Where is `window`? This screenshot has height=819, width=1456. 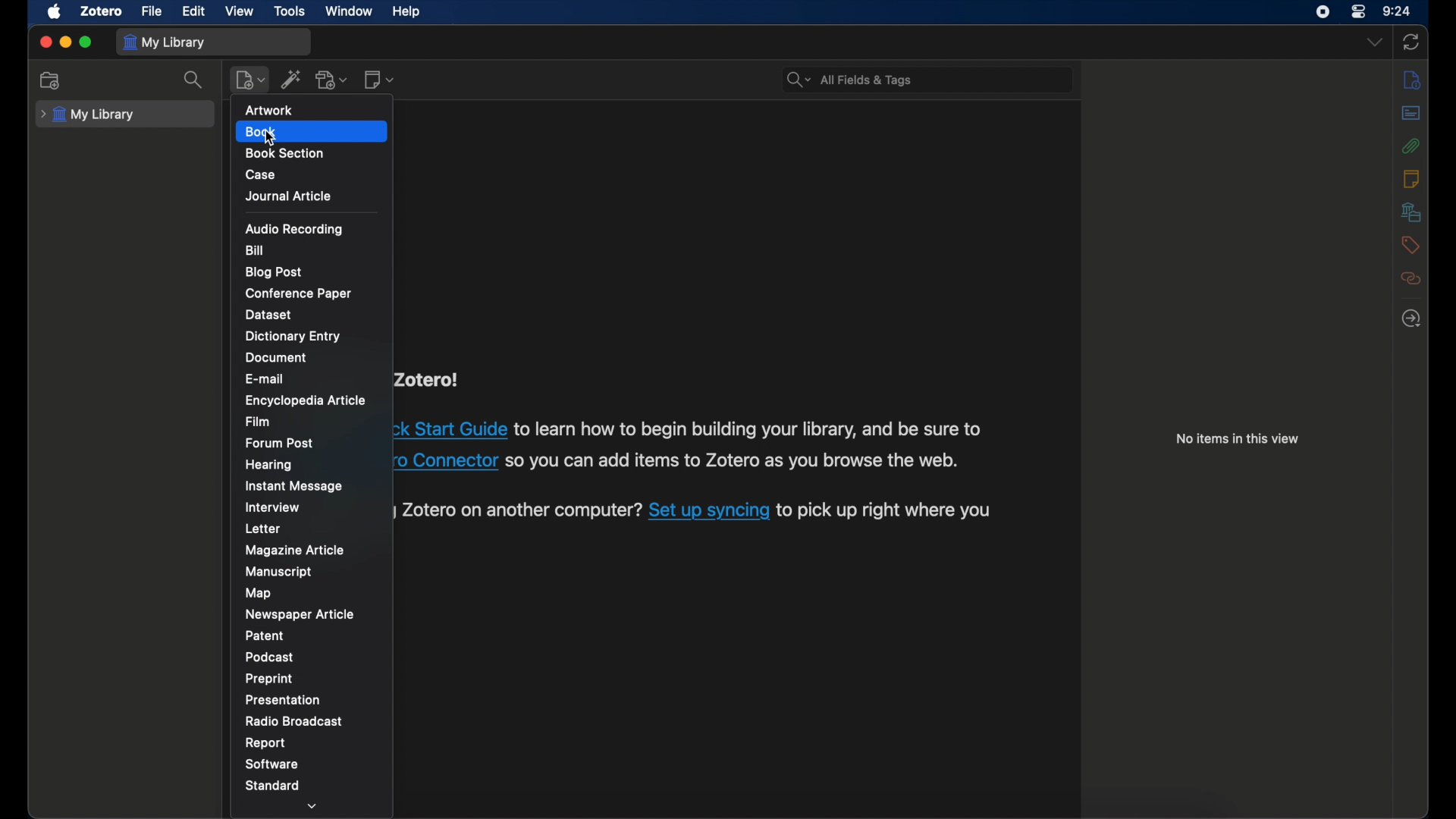 window is located at coordinates (351, 11).